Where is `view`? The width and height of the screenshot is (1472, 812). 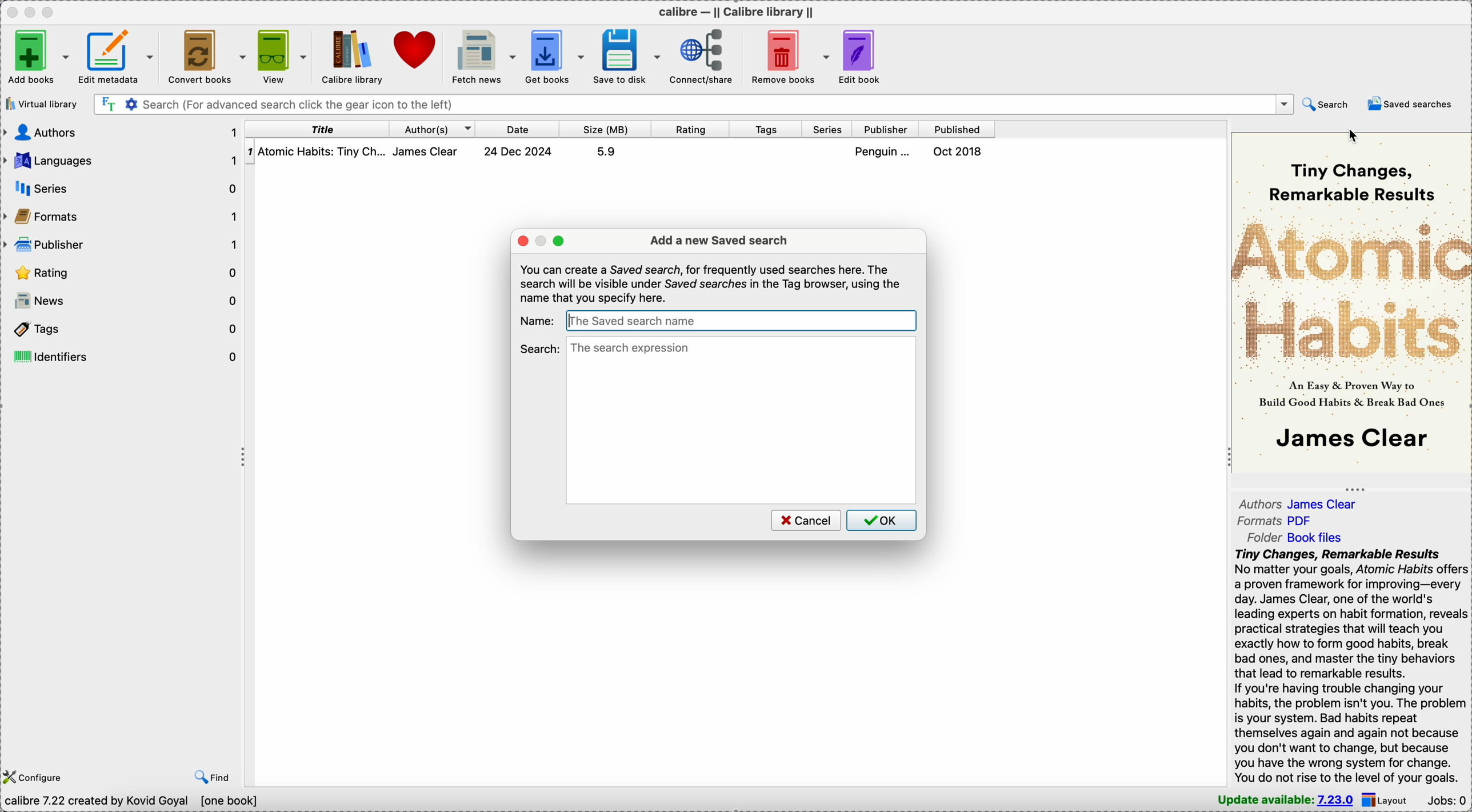 view is located at coordinates (281, 54).